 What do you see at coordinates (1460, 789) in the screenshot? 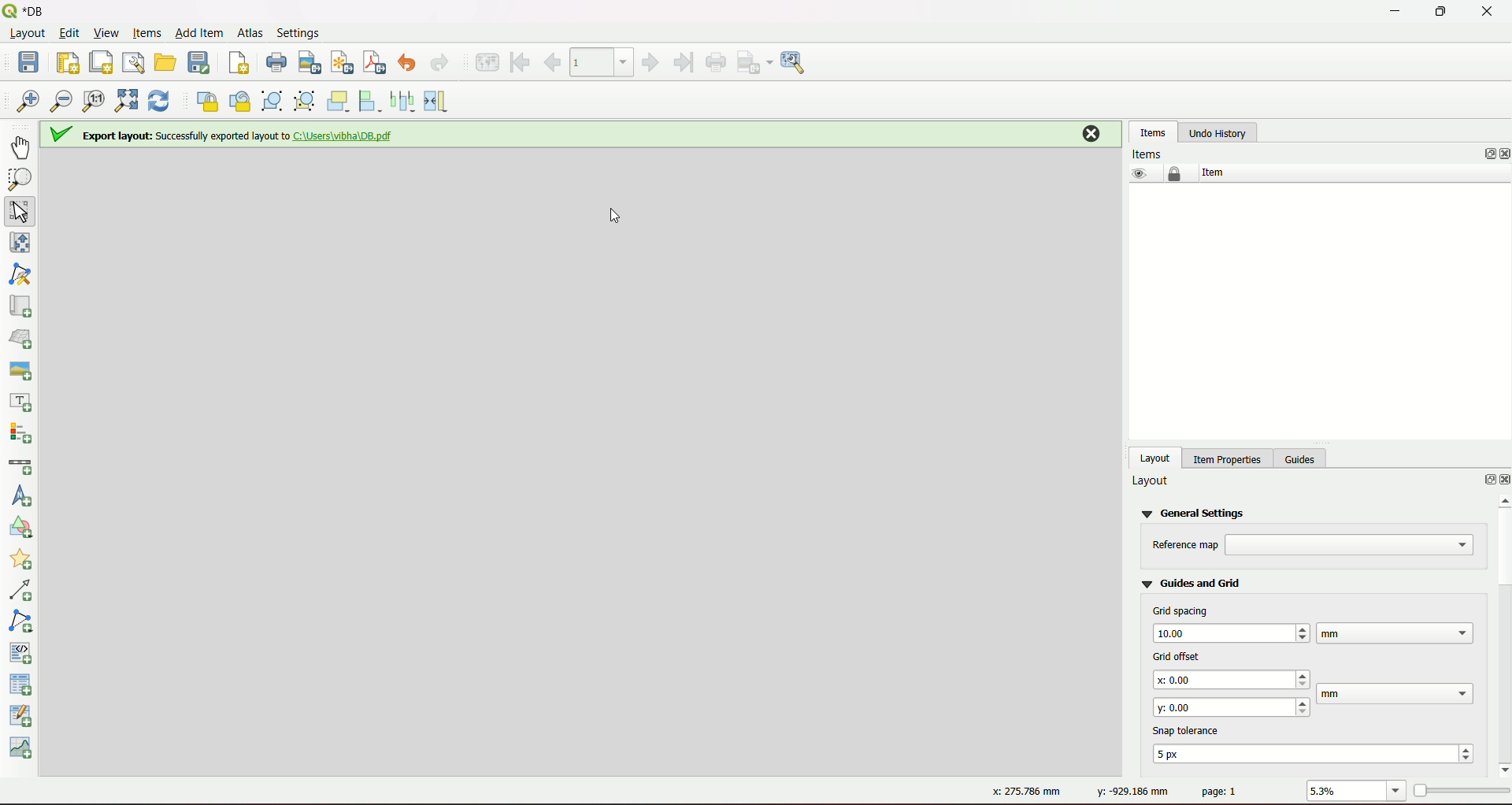
I see `zoom slider` at bounding box center [1460, 789].